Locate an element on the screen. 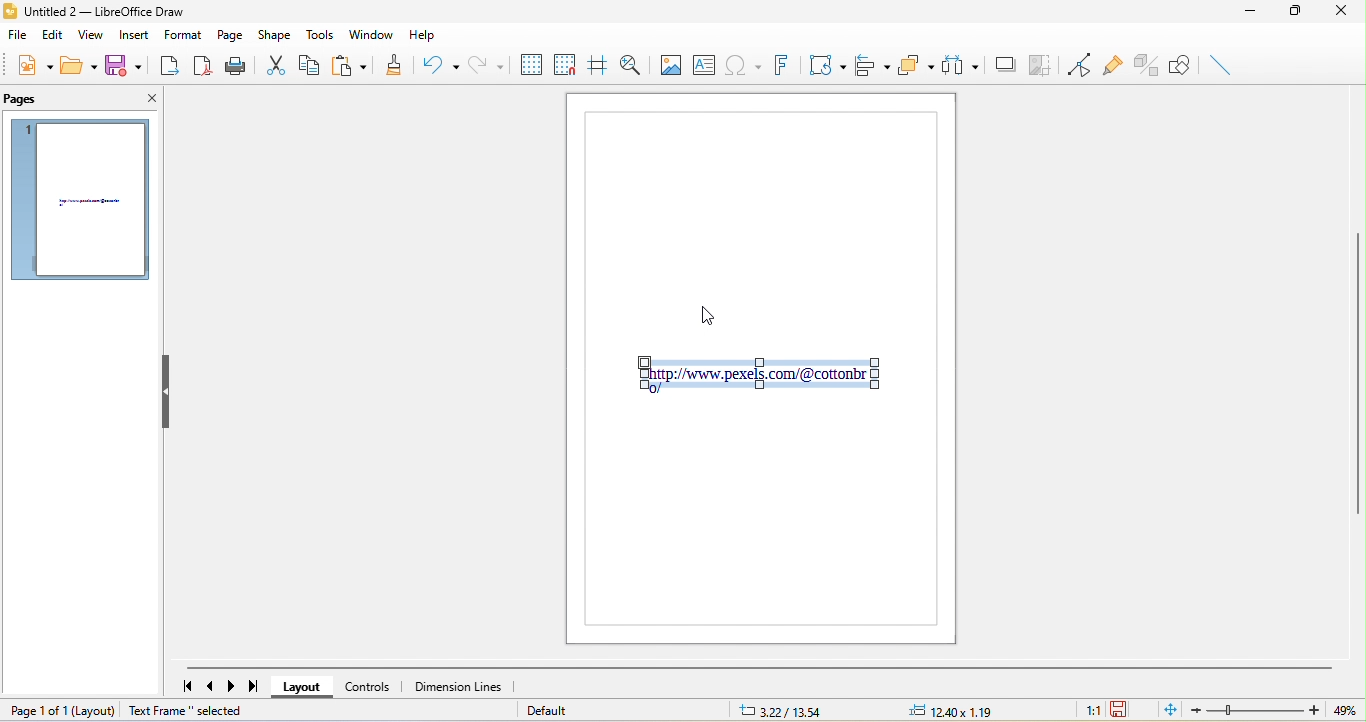  zoom is located at coordinates (1258, 710).